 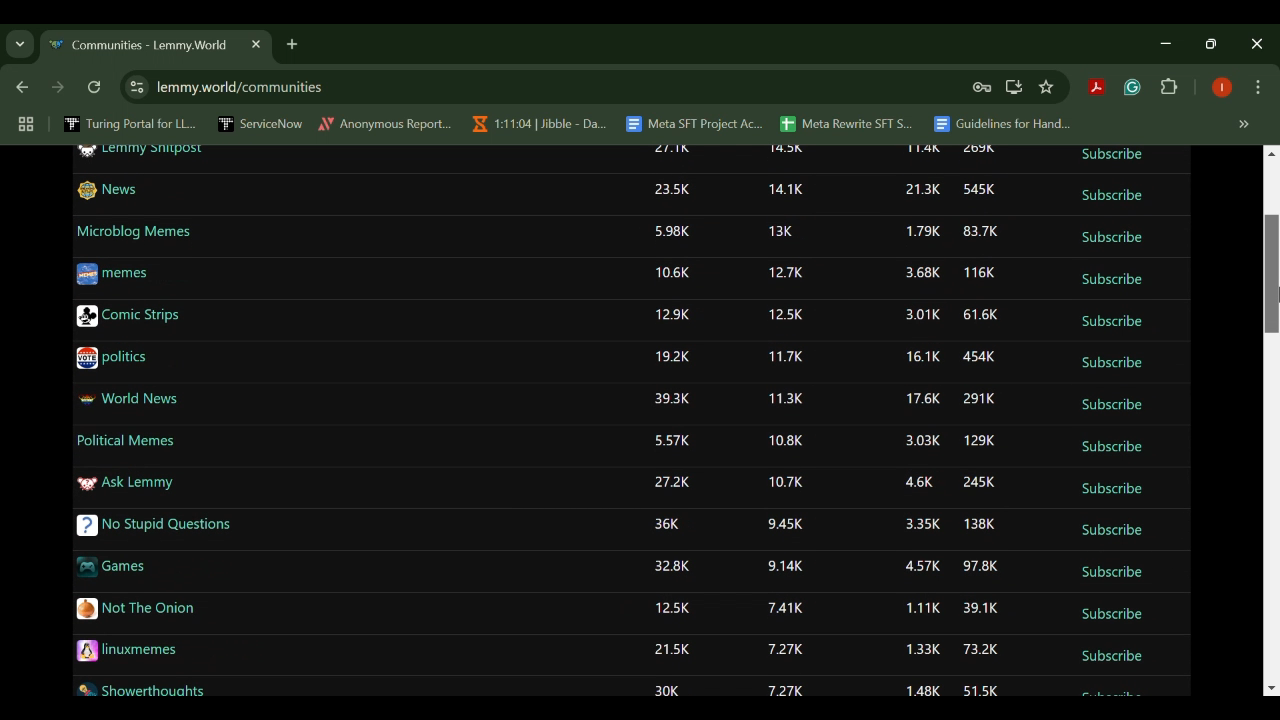 I want to click on Previous Page Dropdown Menu, so click(x=20, y=45).